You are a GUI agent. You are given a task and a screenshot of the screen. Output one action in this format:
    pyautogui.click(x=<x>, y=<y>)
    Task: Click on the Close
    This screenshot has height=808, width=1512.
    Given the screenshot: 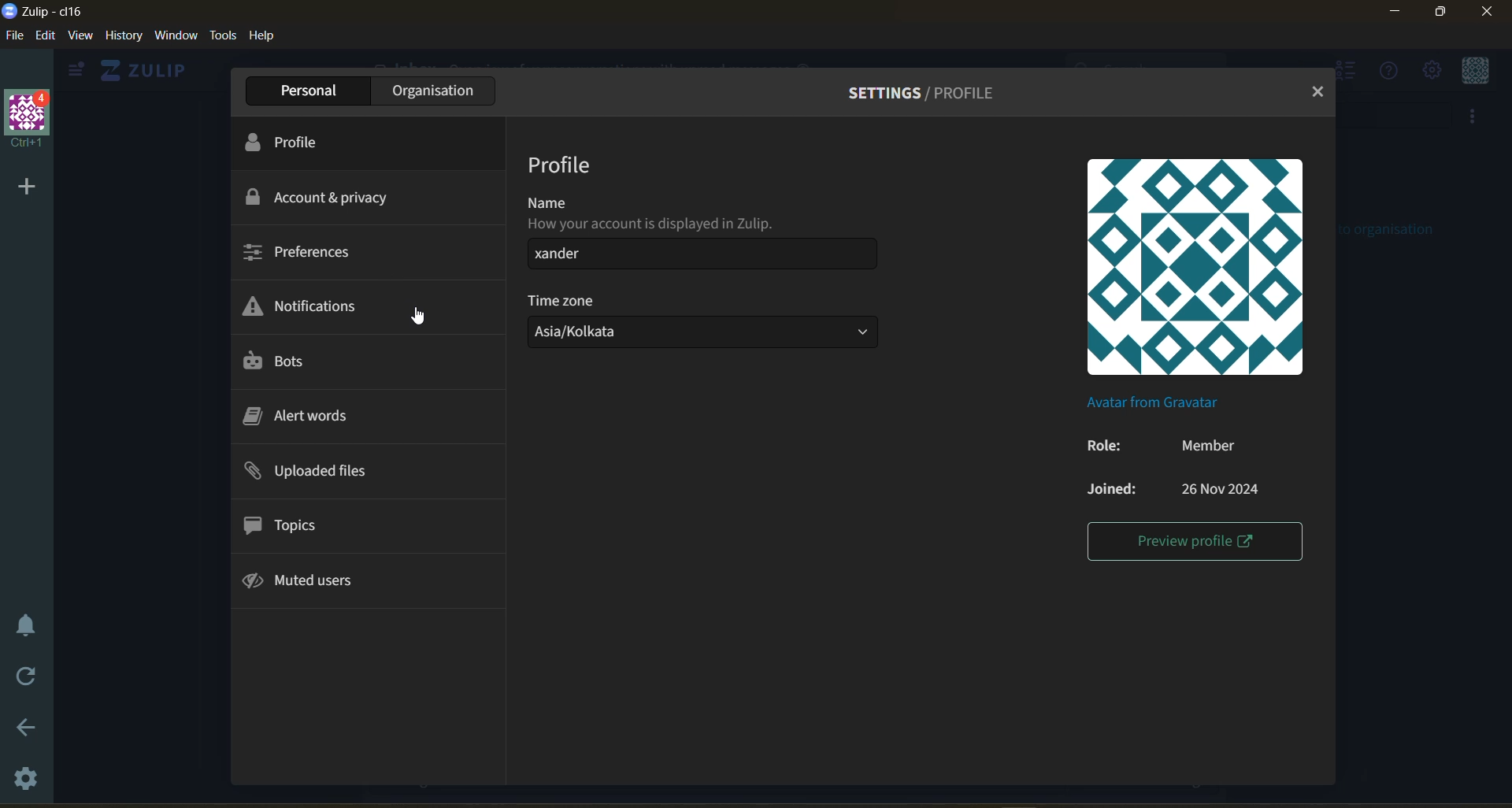 What is the action you would take?
    pyautogui.click(x=1487, y=17)
    